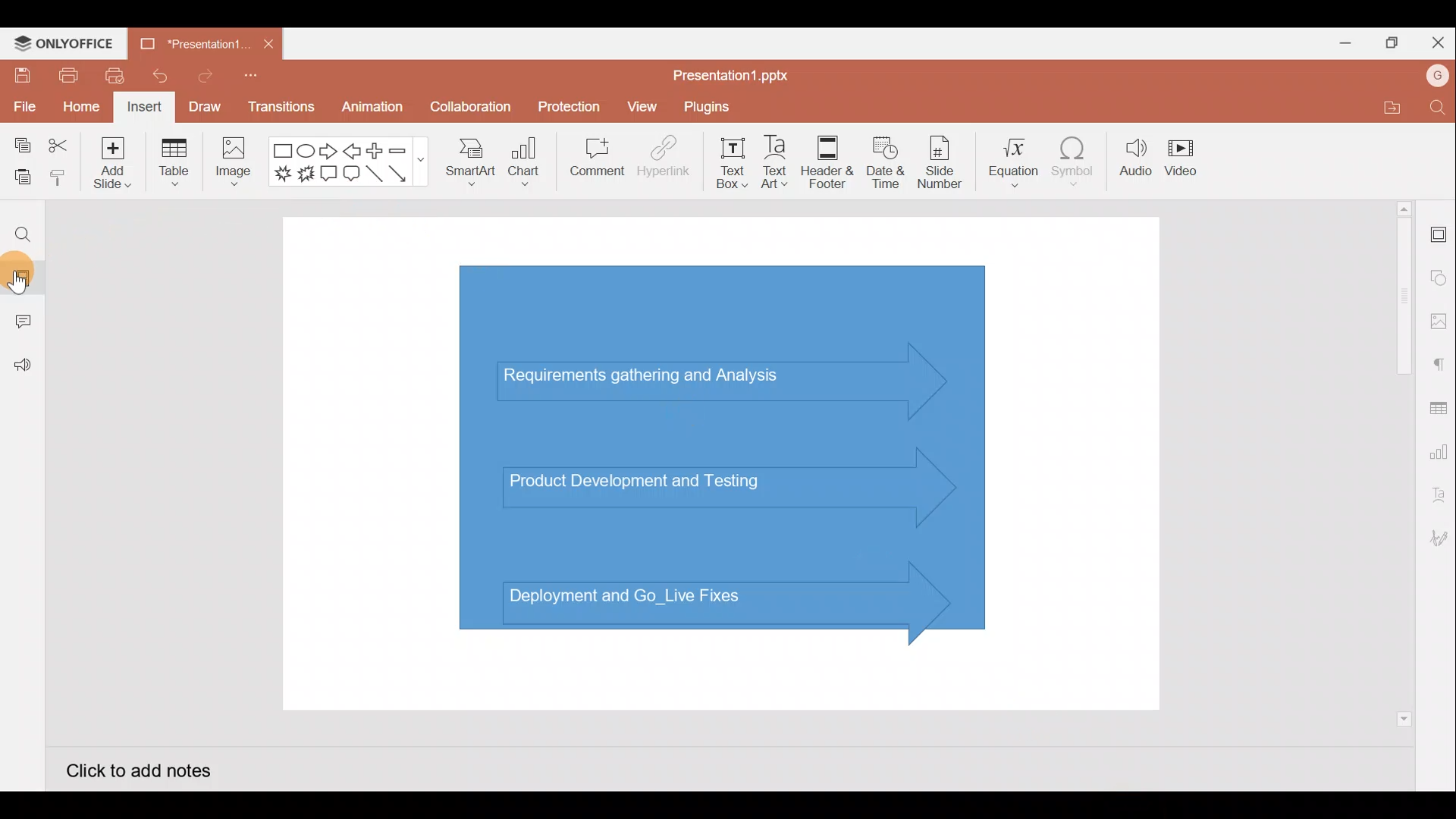 The image size is (1456, 819). What do you see at coordinates (22, 237) in the screenshot?
I see `Find` at bounding box center [22, 237].